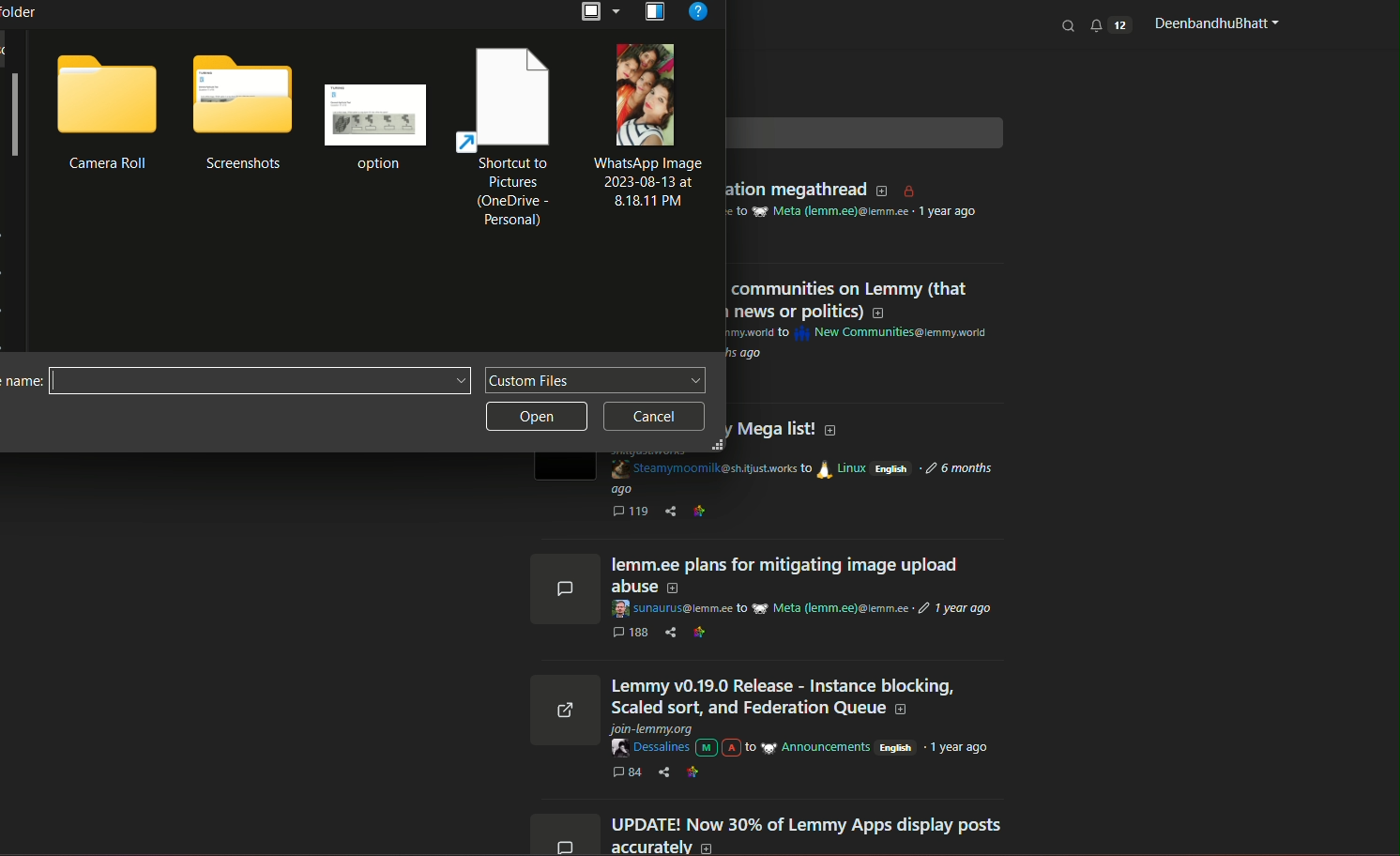 The image size is (1400, 856). I want to click on search, so click(1070, 25).